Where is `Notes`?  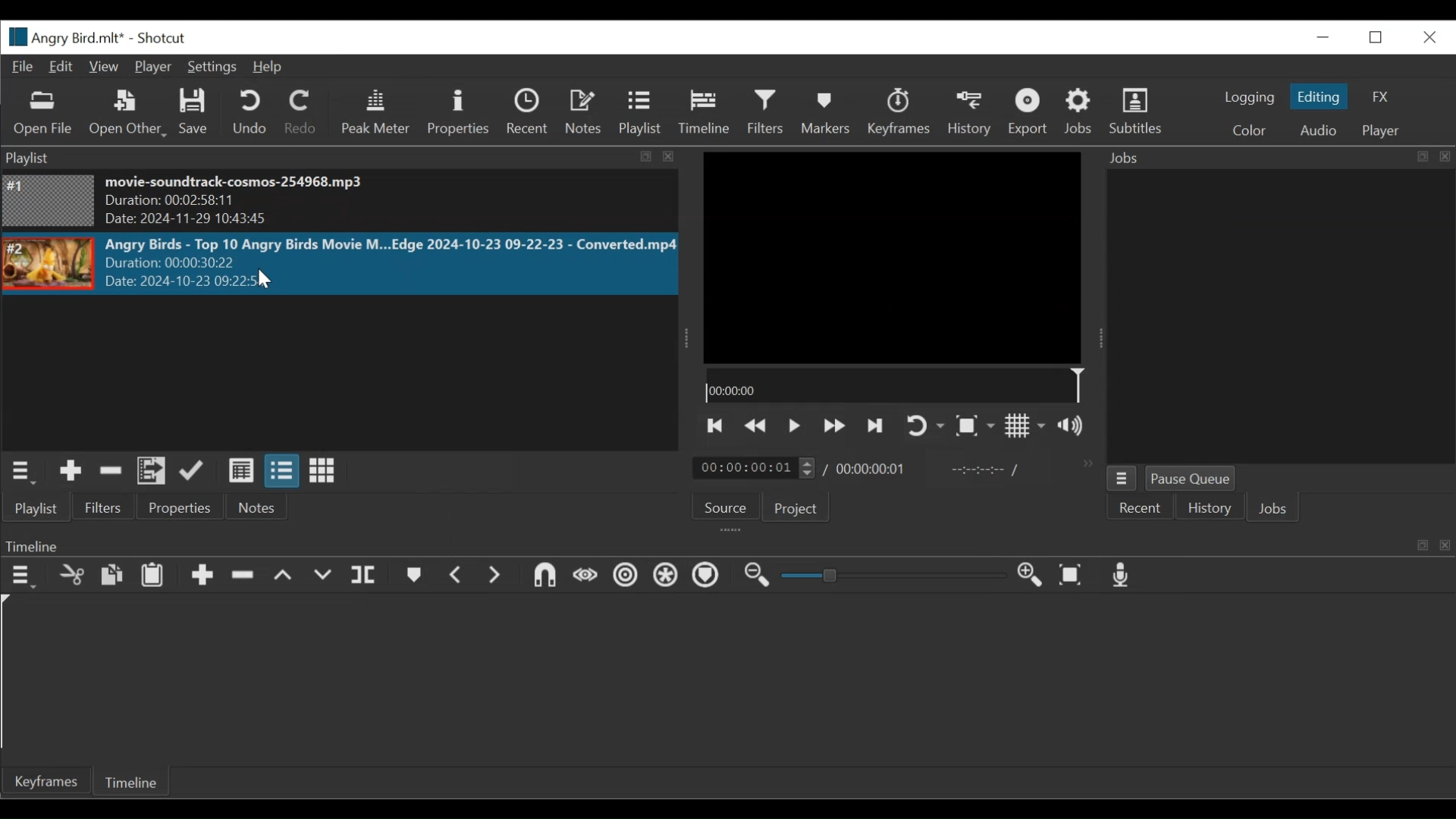 Notes is located at coordinates (256, 508).